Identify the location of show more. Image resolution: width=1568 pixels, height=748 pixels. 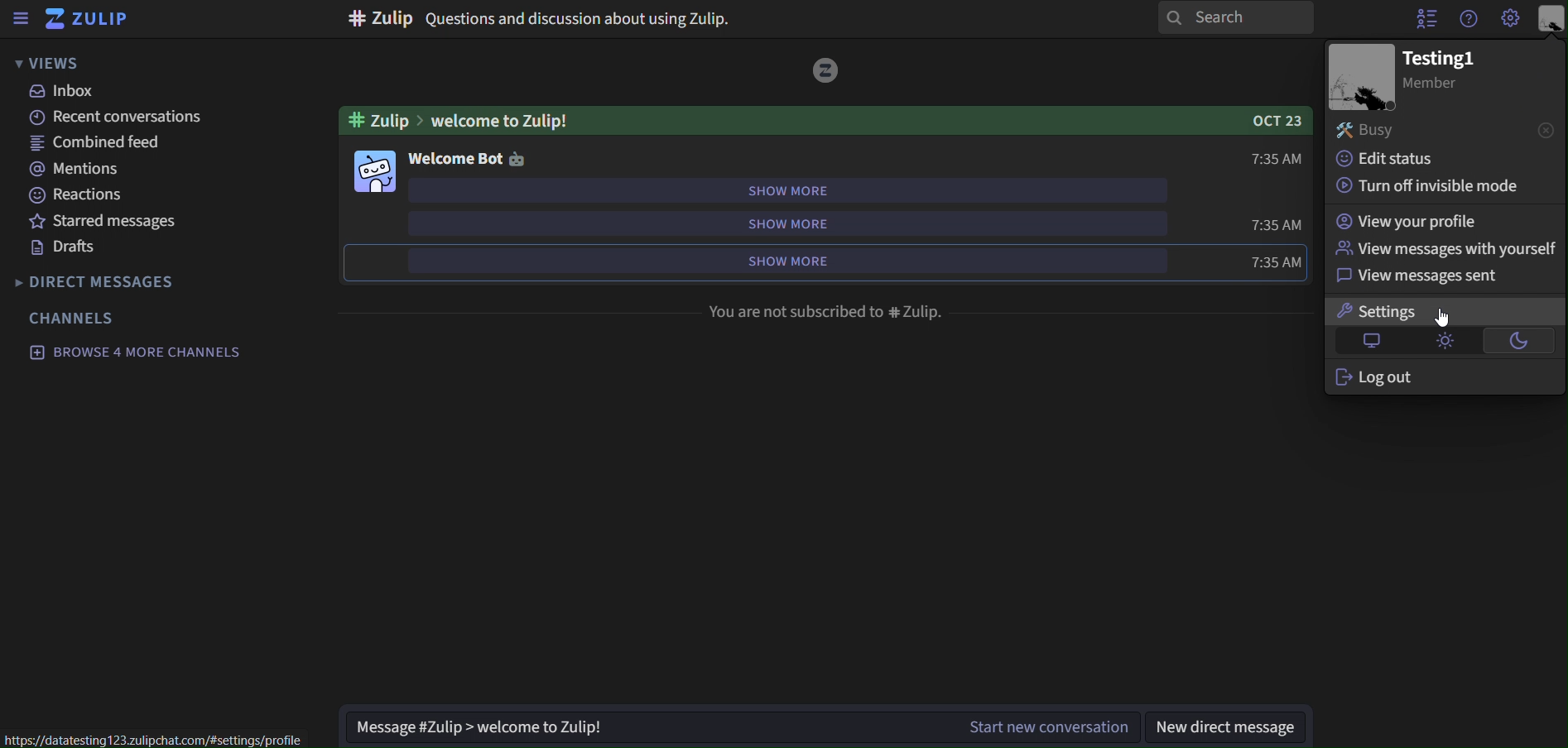
(793, 223).